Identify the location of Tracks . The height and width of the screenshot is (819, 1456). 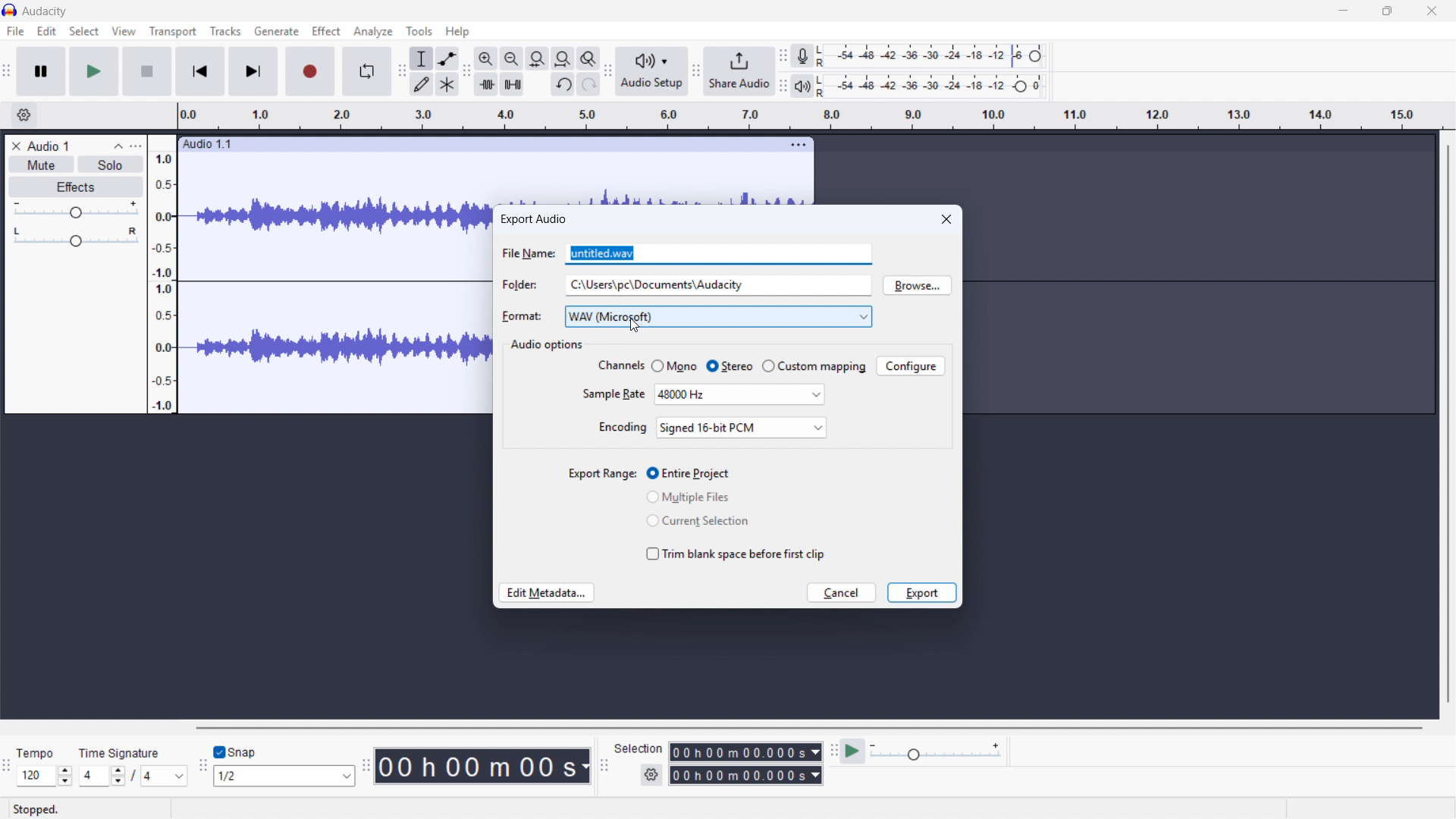
(227, 30).